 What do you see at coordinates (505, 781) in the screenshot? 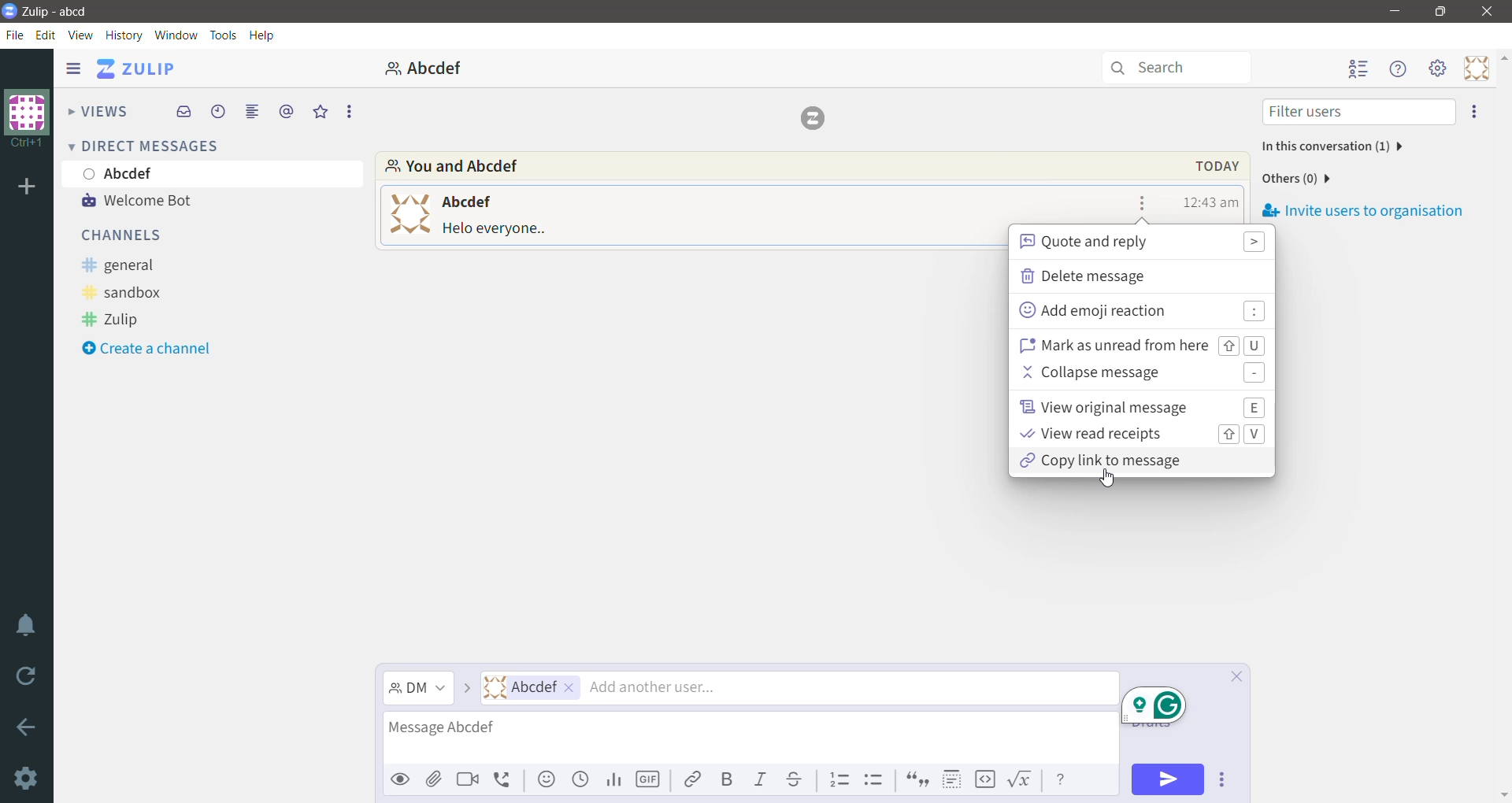
I see `Add voice call` at bounding box center [505, 781].